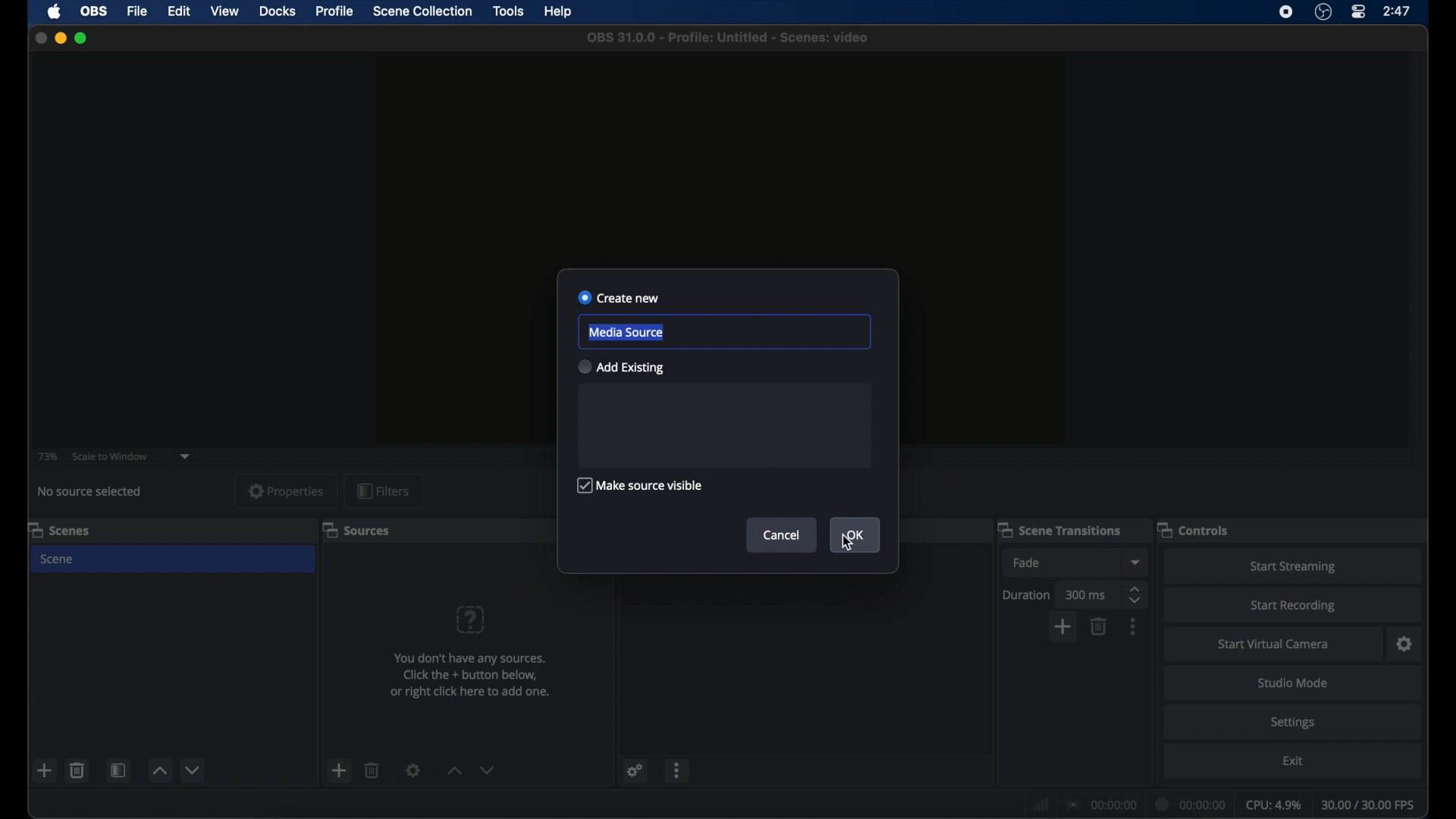  I want to click on edit, so click(179, 11).